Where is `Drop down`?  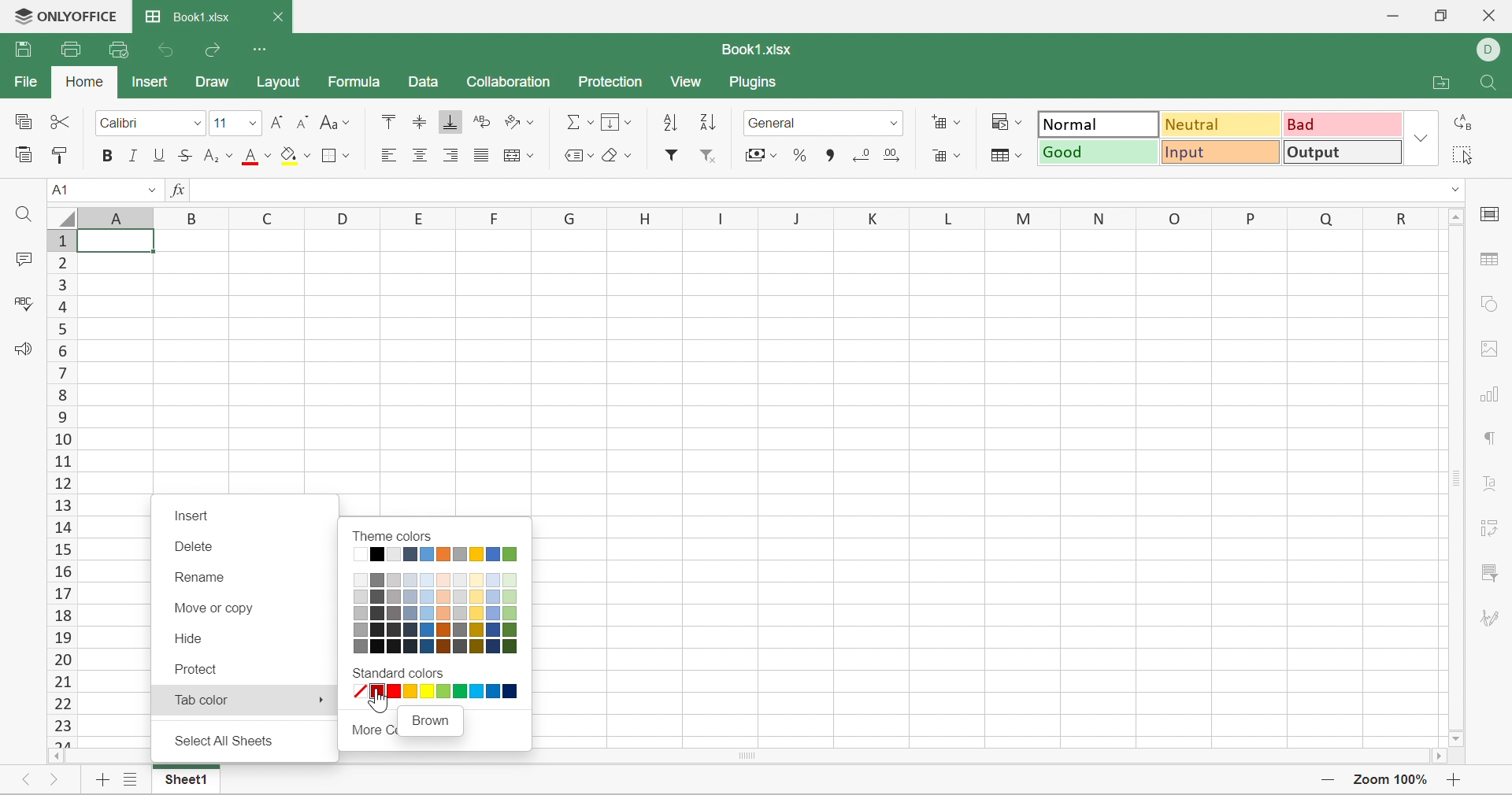
Drop down is located at coordinates (898, 124).